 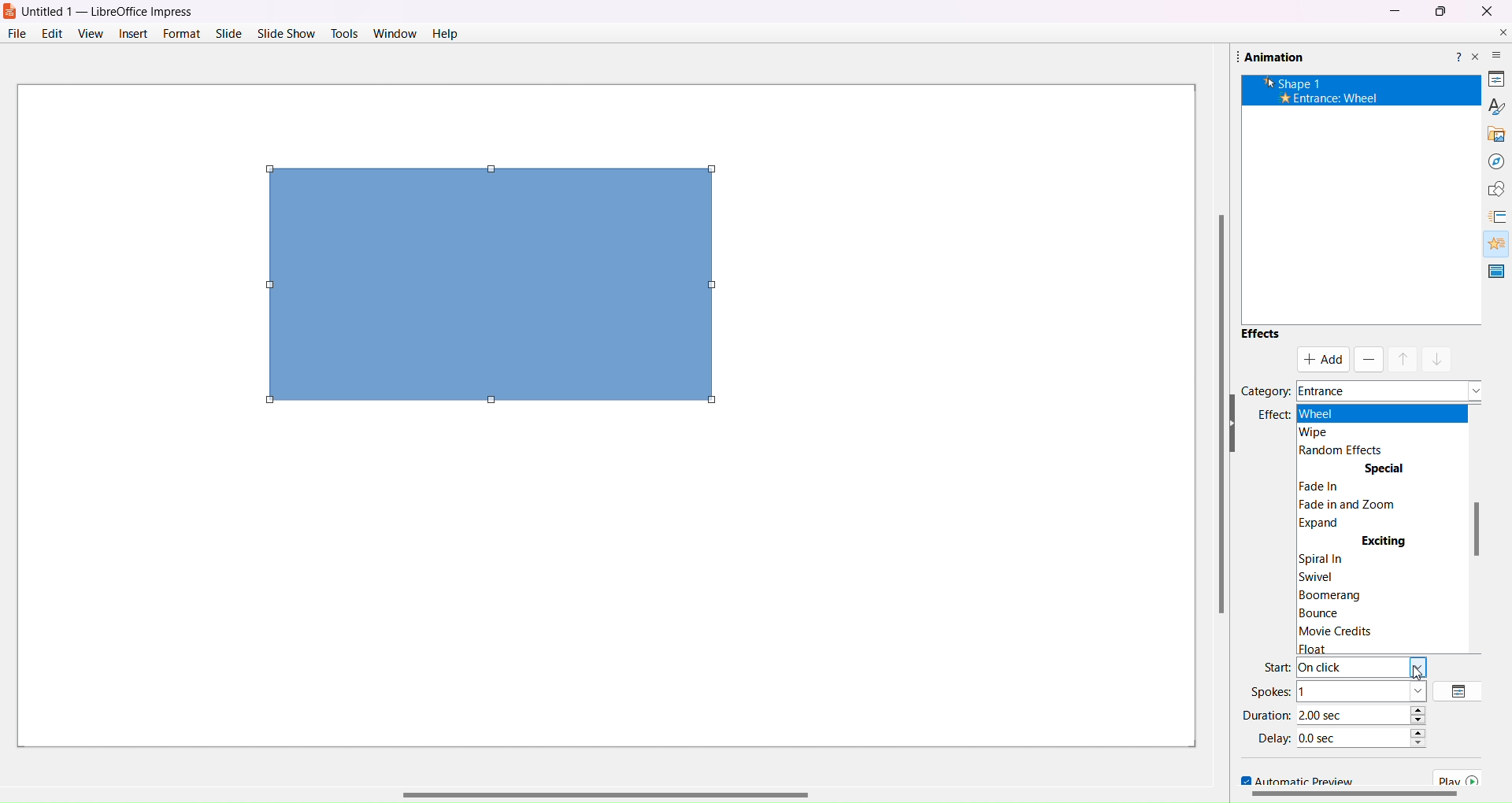 I want to click on Help, so click(x=1456, y=54).